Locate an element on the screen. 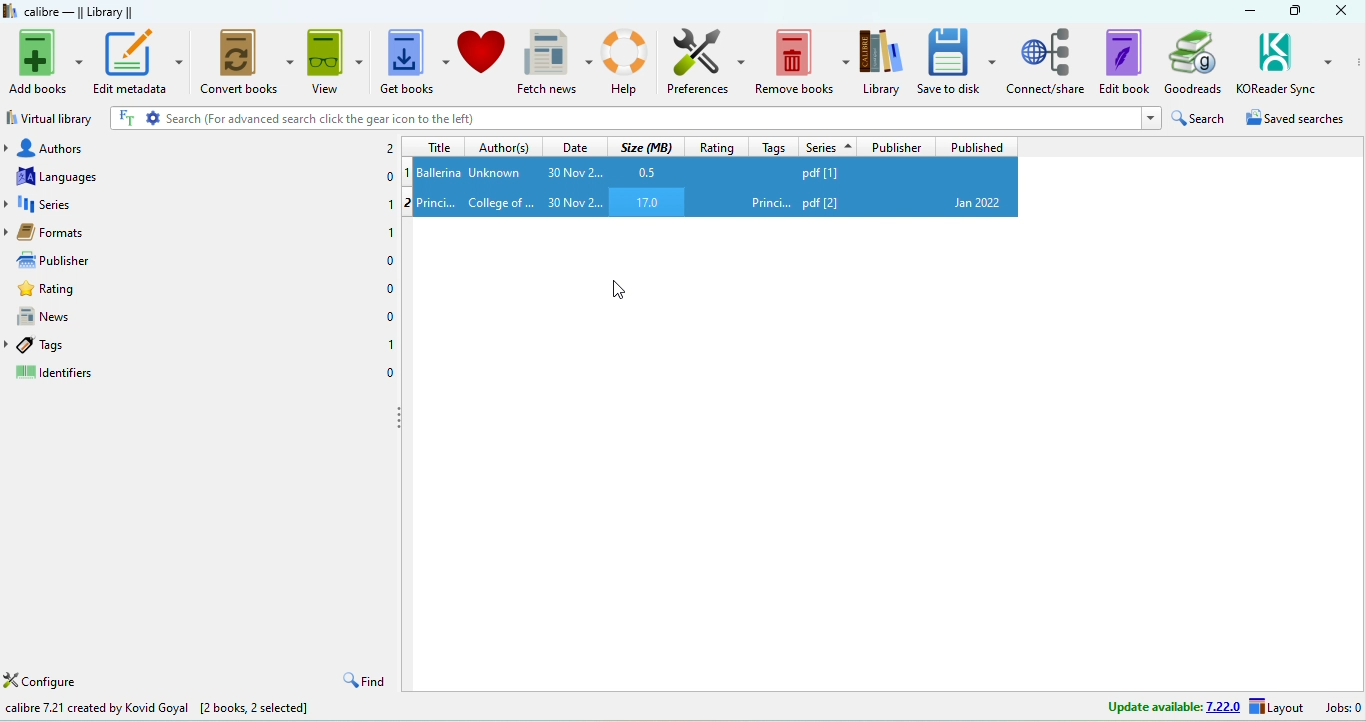 This screenshot has height=722, width=1366. Fetch news is located at coordinates (555, 62).